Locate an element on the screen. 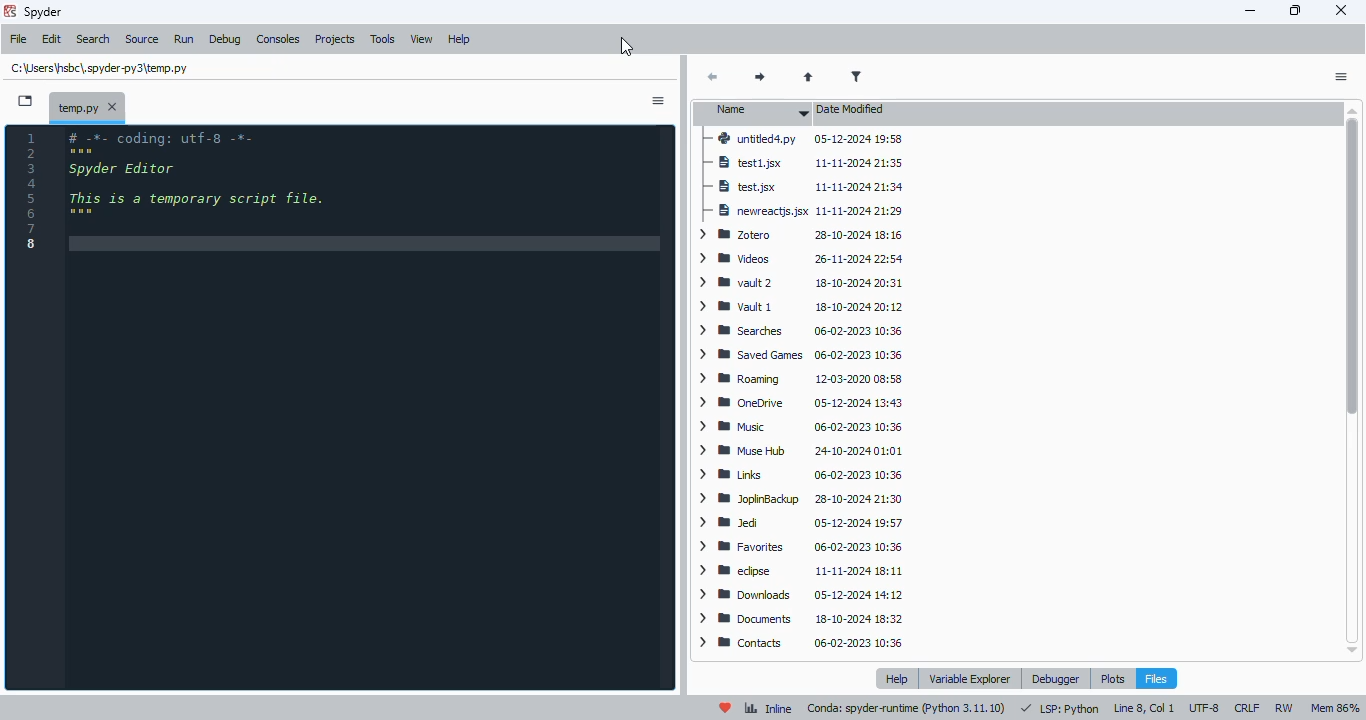  help is located at coordinates (897, 678).